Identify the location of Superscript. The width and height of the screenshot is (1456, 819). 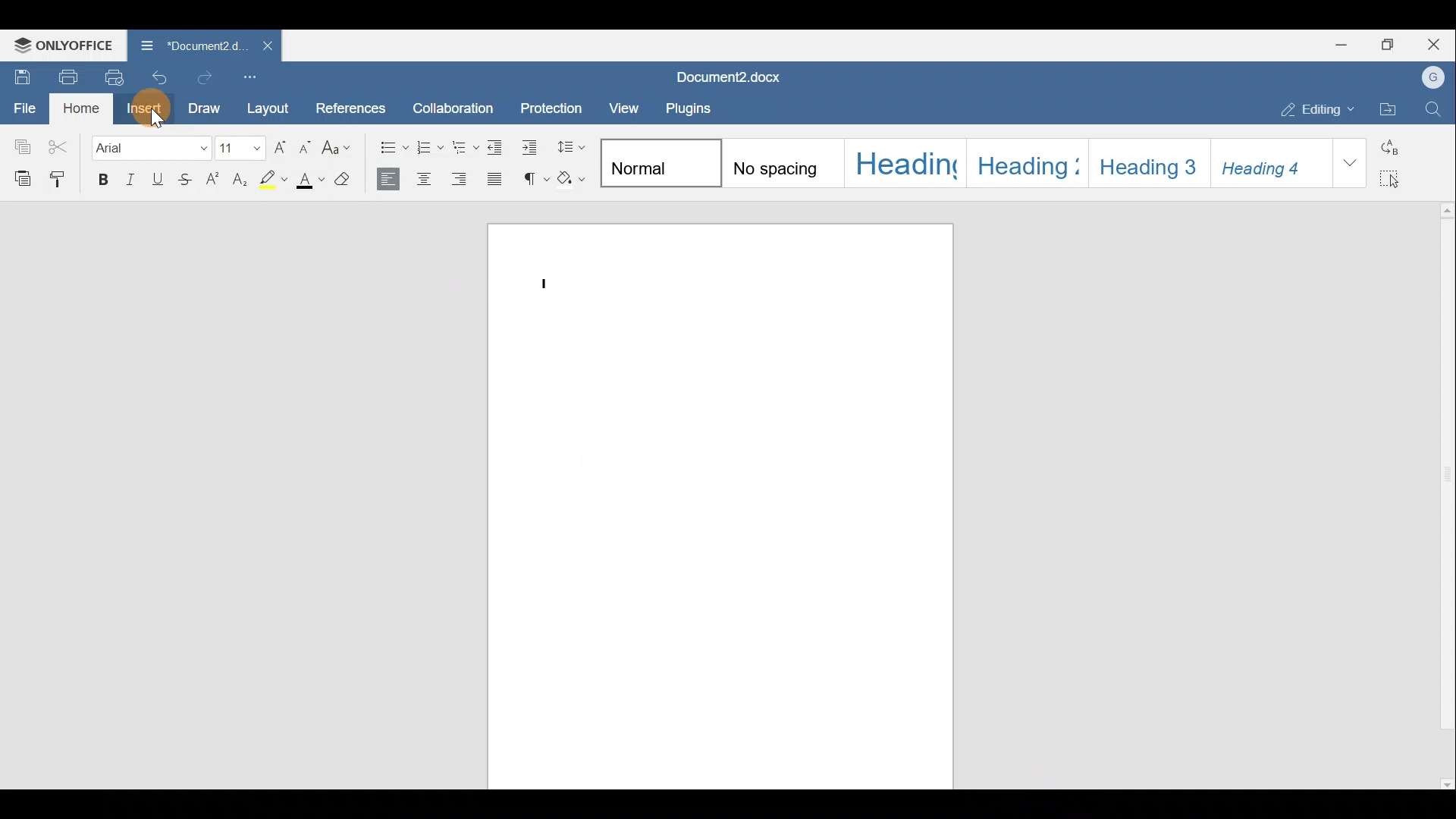
(215, 181).